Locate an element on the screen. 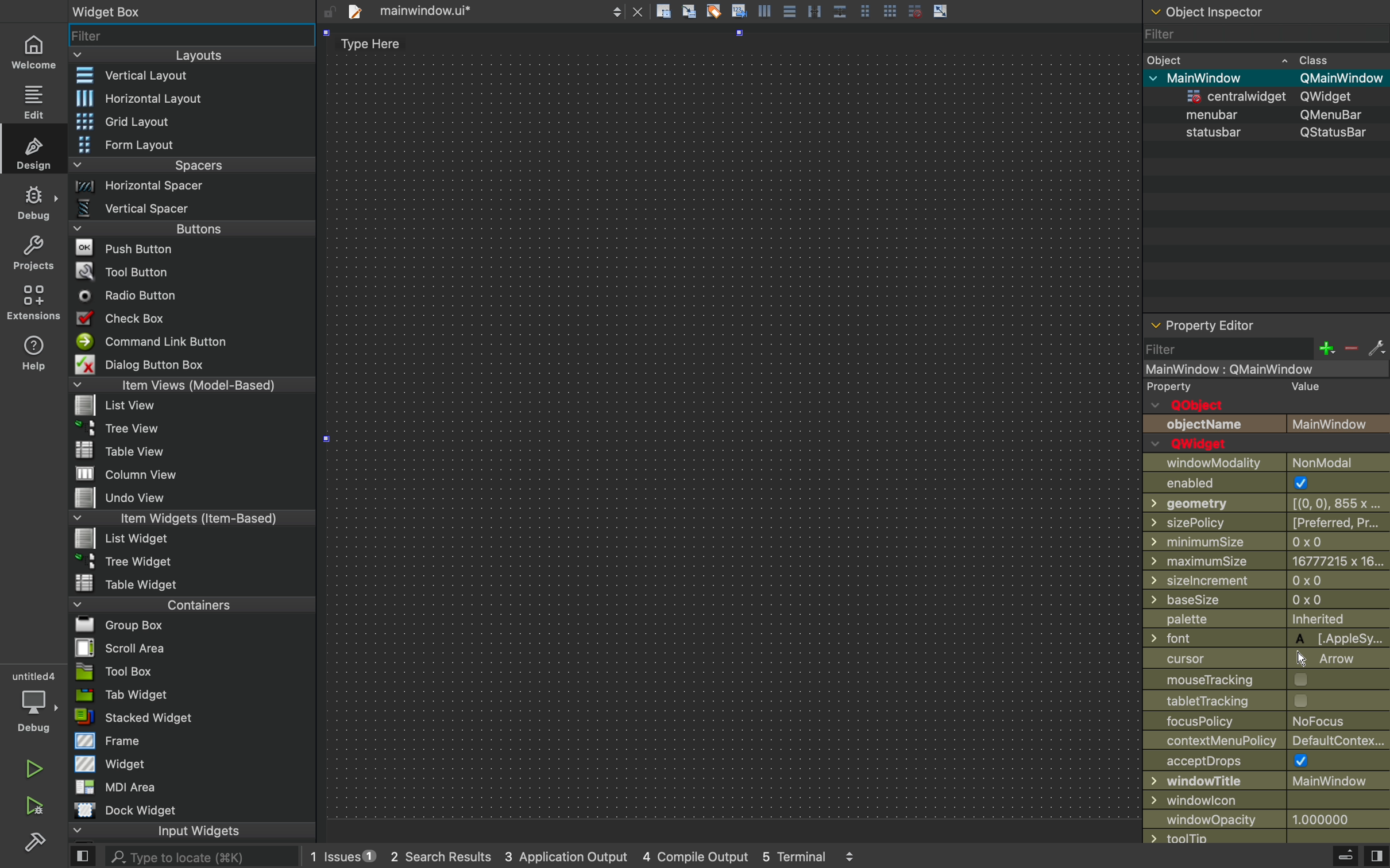  stacked widget is located at coordinates (191, 719).